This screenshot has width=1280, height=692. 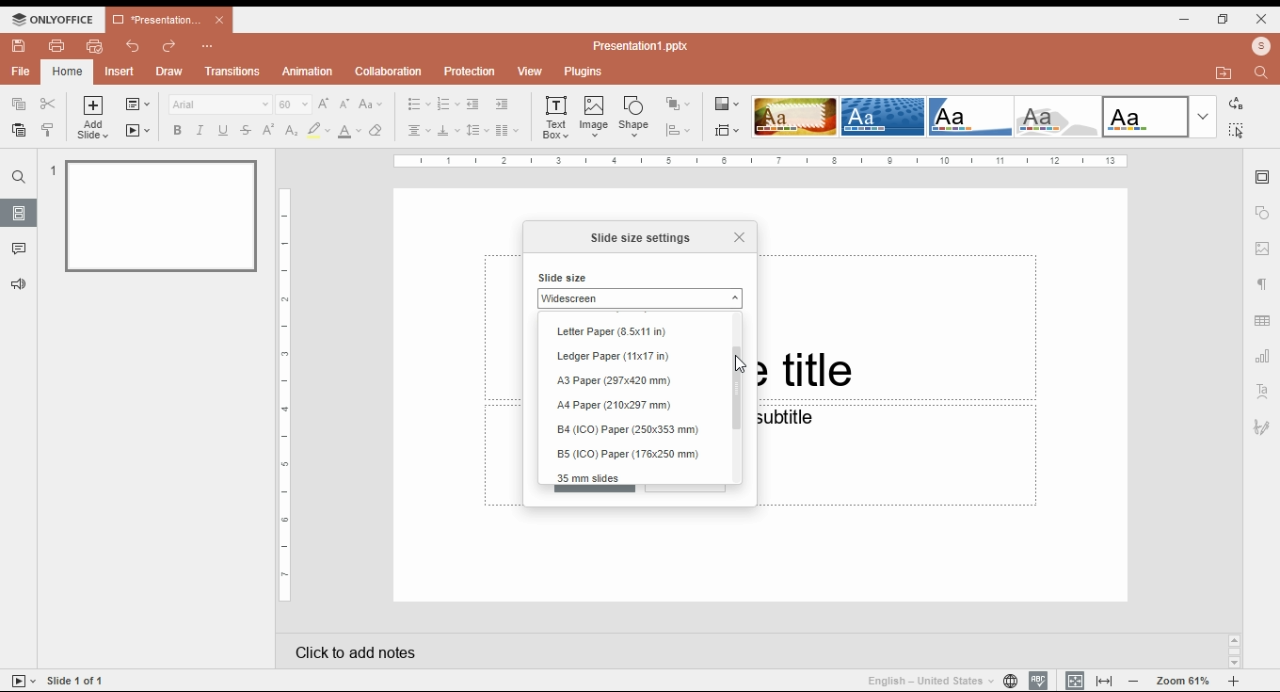 I want to click on italics, so click(x=198, y=130).